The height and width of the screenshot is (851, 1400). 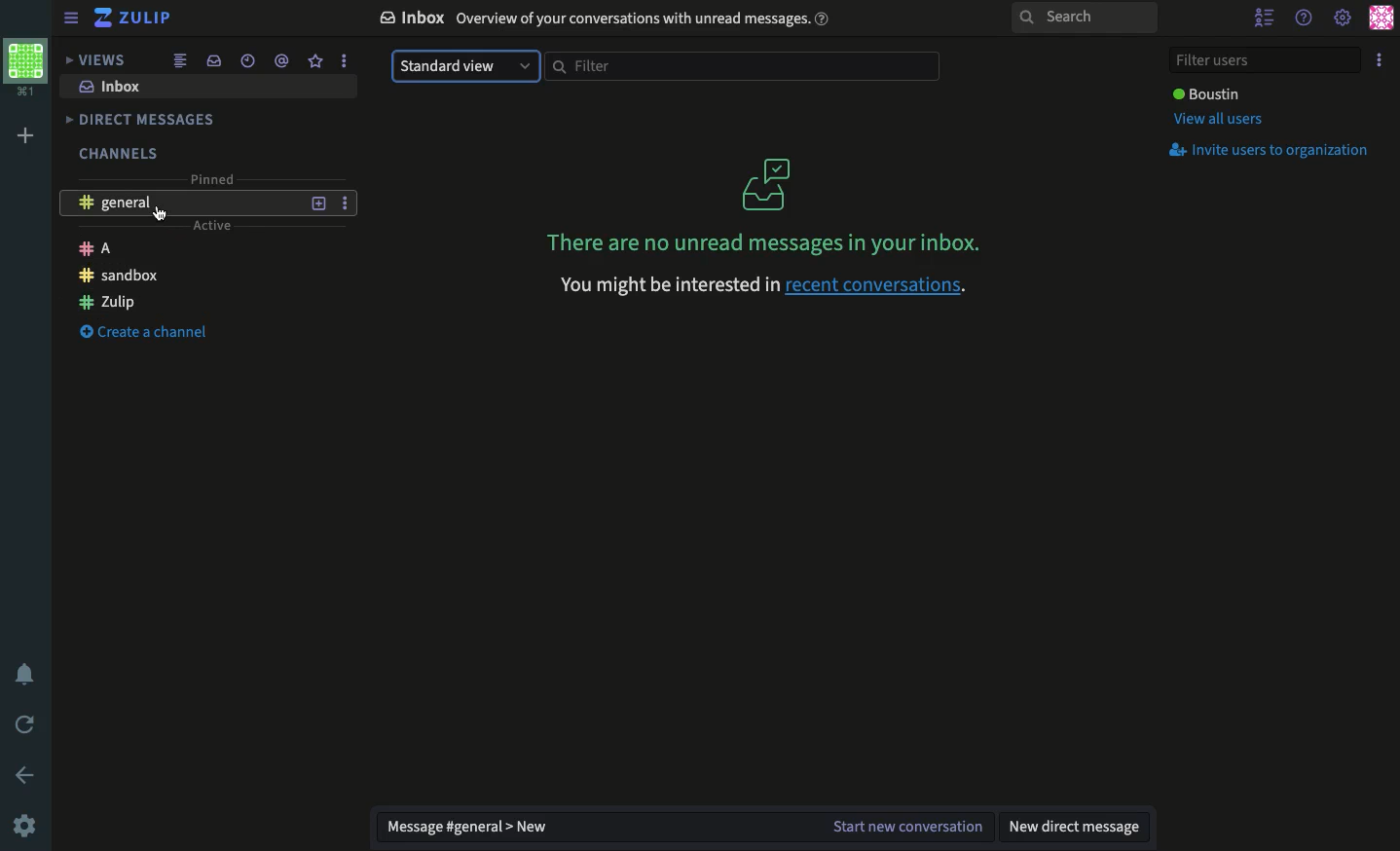 I want to click on Channels, so click(x=121, y=153).